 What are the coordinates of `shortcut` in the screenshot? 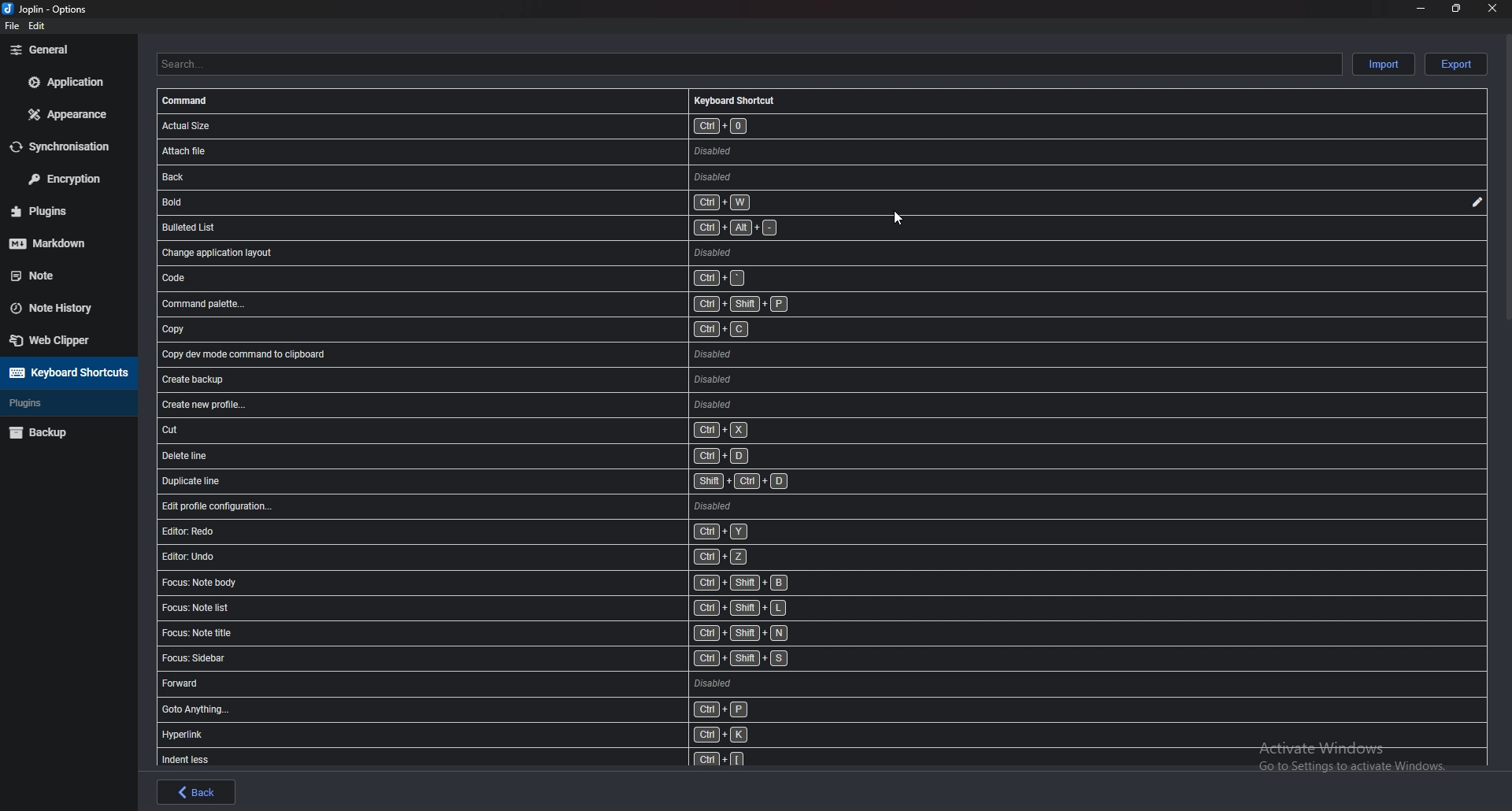 It's located at (515, 531).